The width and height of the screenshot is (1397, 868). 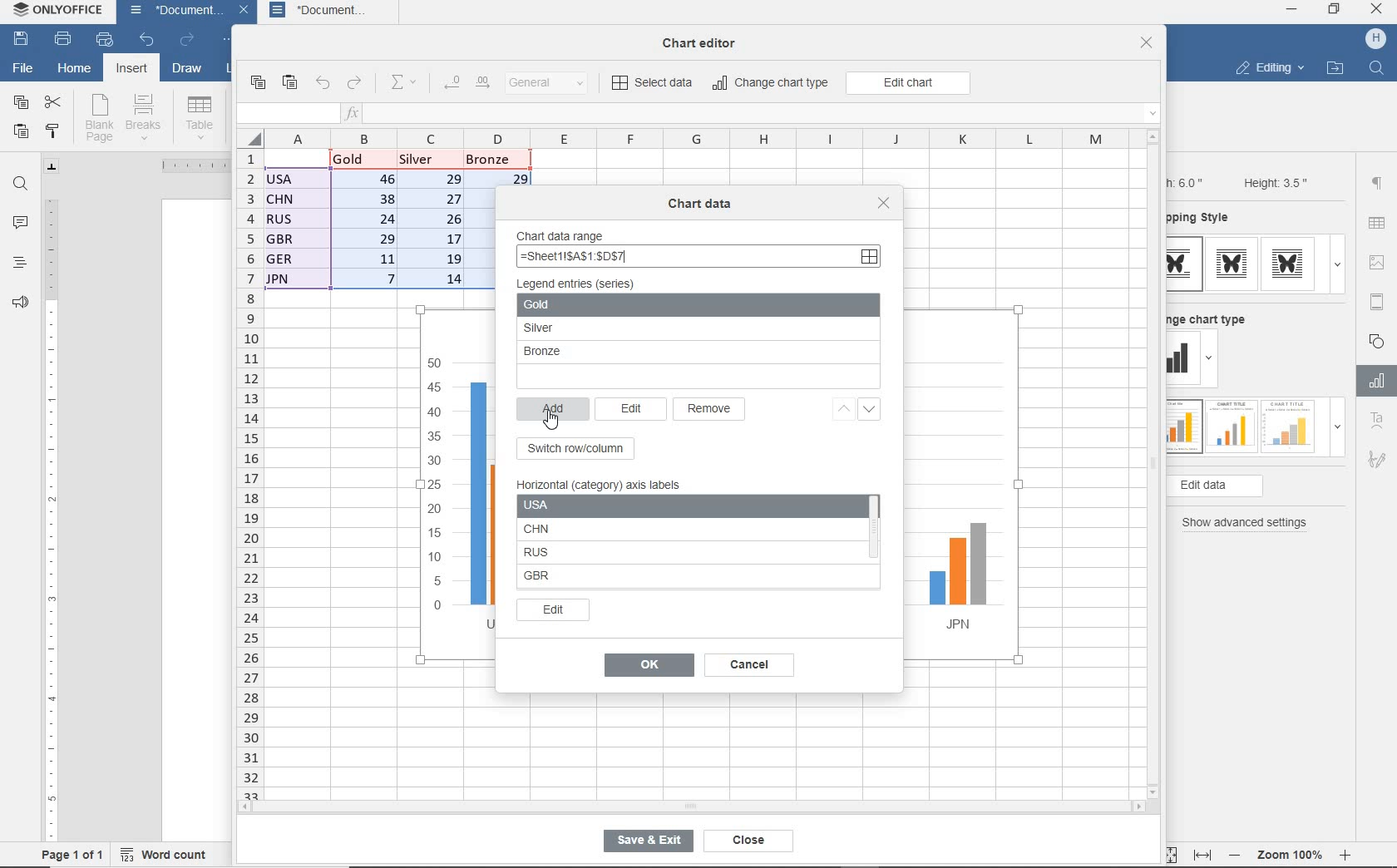 I want to click on type 1, so click(x=1186, y=264).